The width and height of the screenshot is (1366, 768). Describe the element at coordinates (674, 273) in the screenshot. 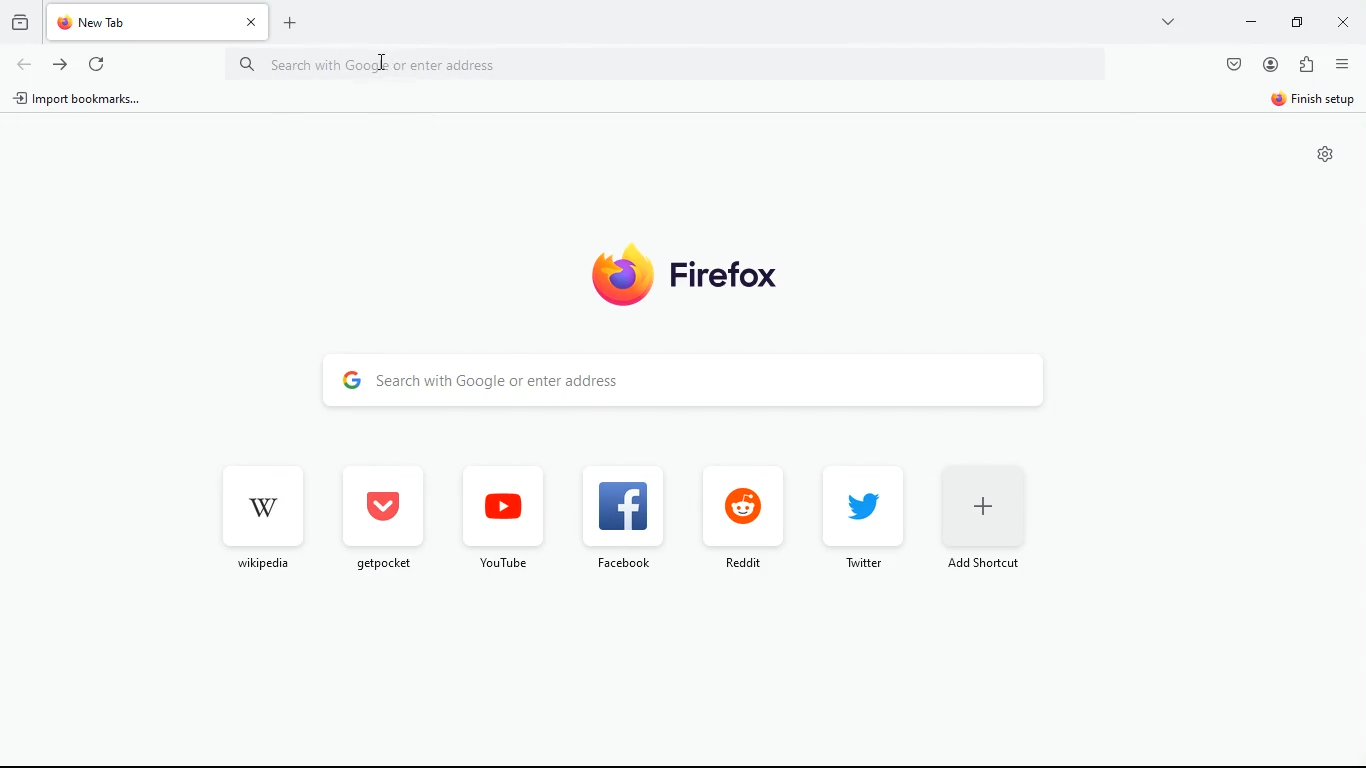

I see `firefox` at that location.